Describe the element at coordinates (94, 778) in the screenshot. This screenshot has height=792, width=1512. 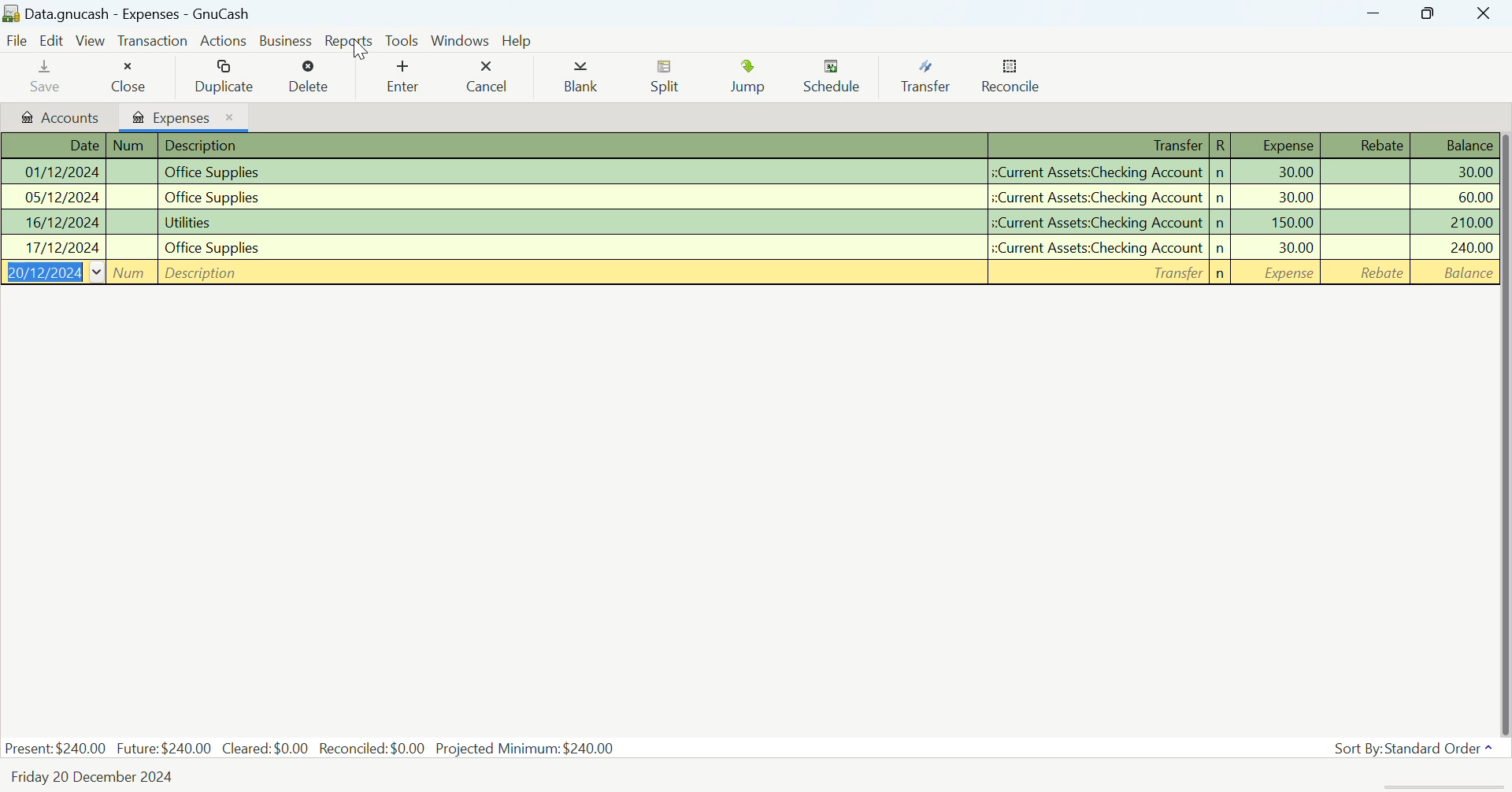
I see `Friday 20 December 2024` at that location.